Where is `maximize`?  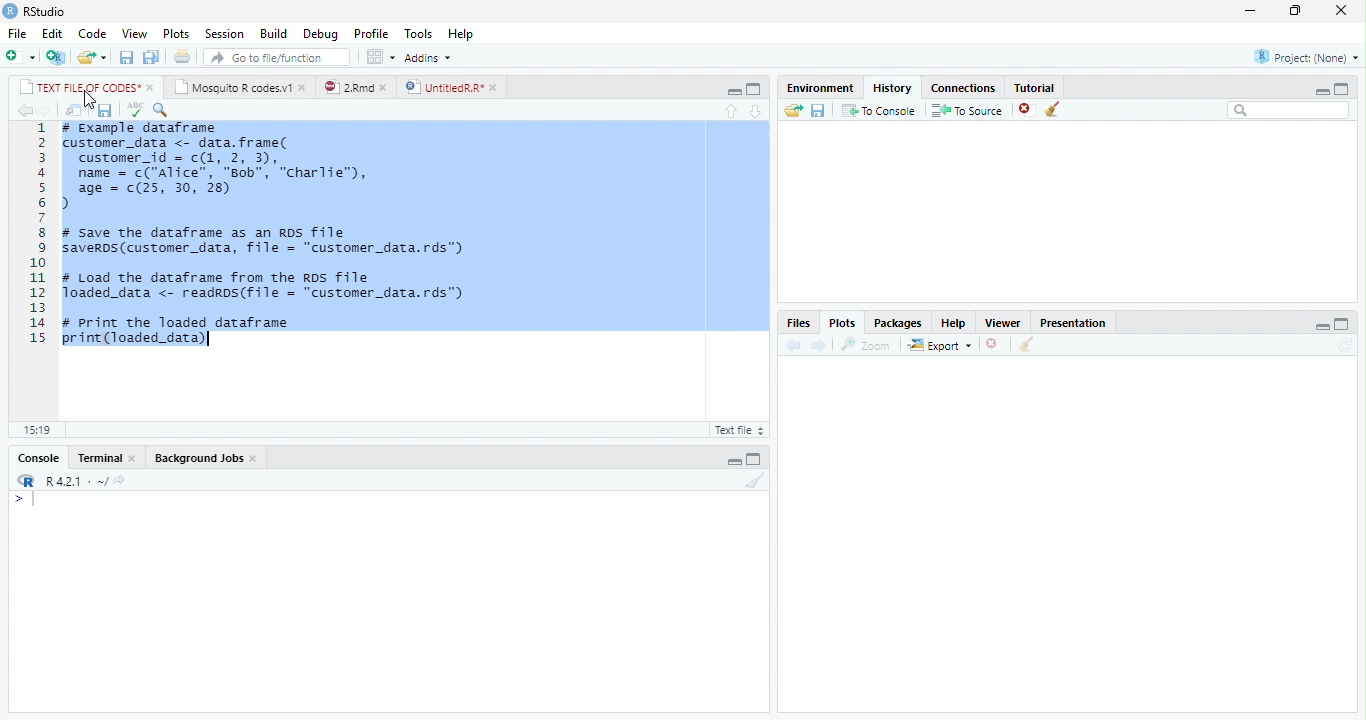 maximize is located at coordinates (1342, 89).